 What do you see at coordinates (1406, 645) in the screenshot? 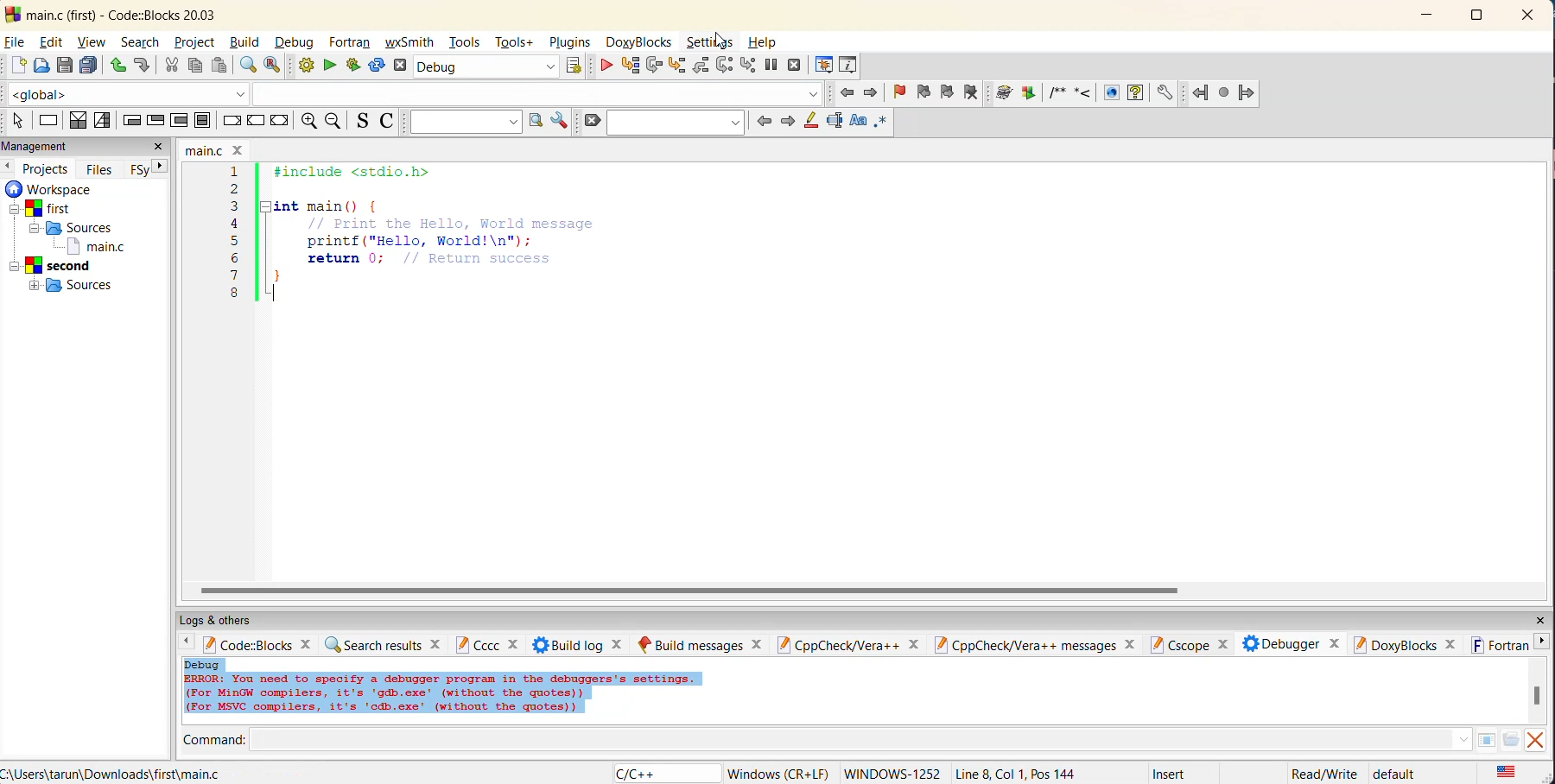
I see `doxyblocks` at bounding box center [1406, 645].